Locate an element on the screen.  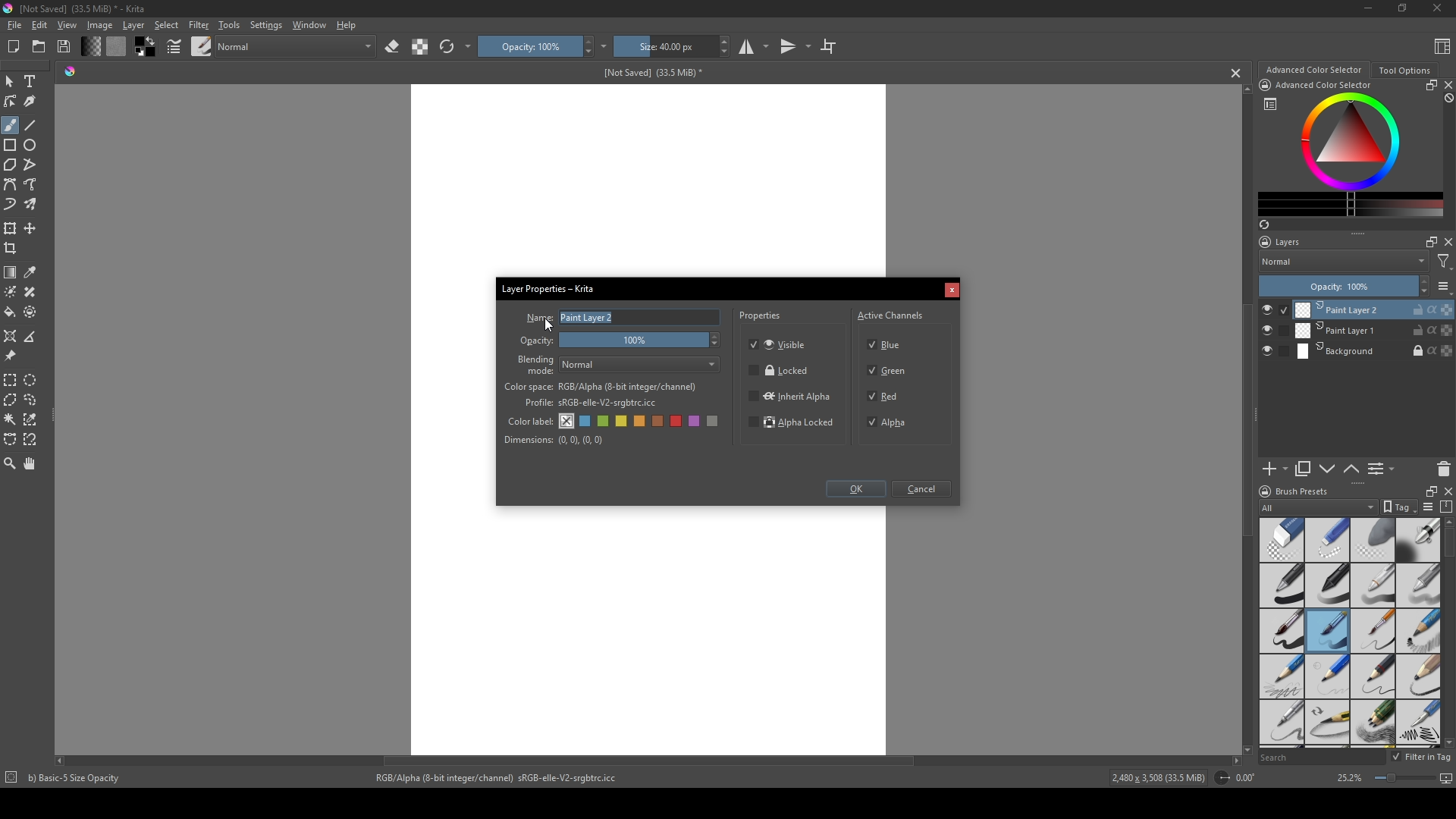
Inherit alpha is located at coordinates (789, 395).